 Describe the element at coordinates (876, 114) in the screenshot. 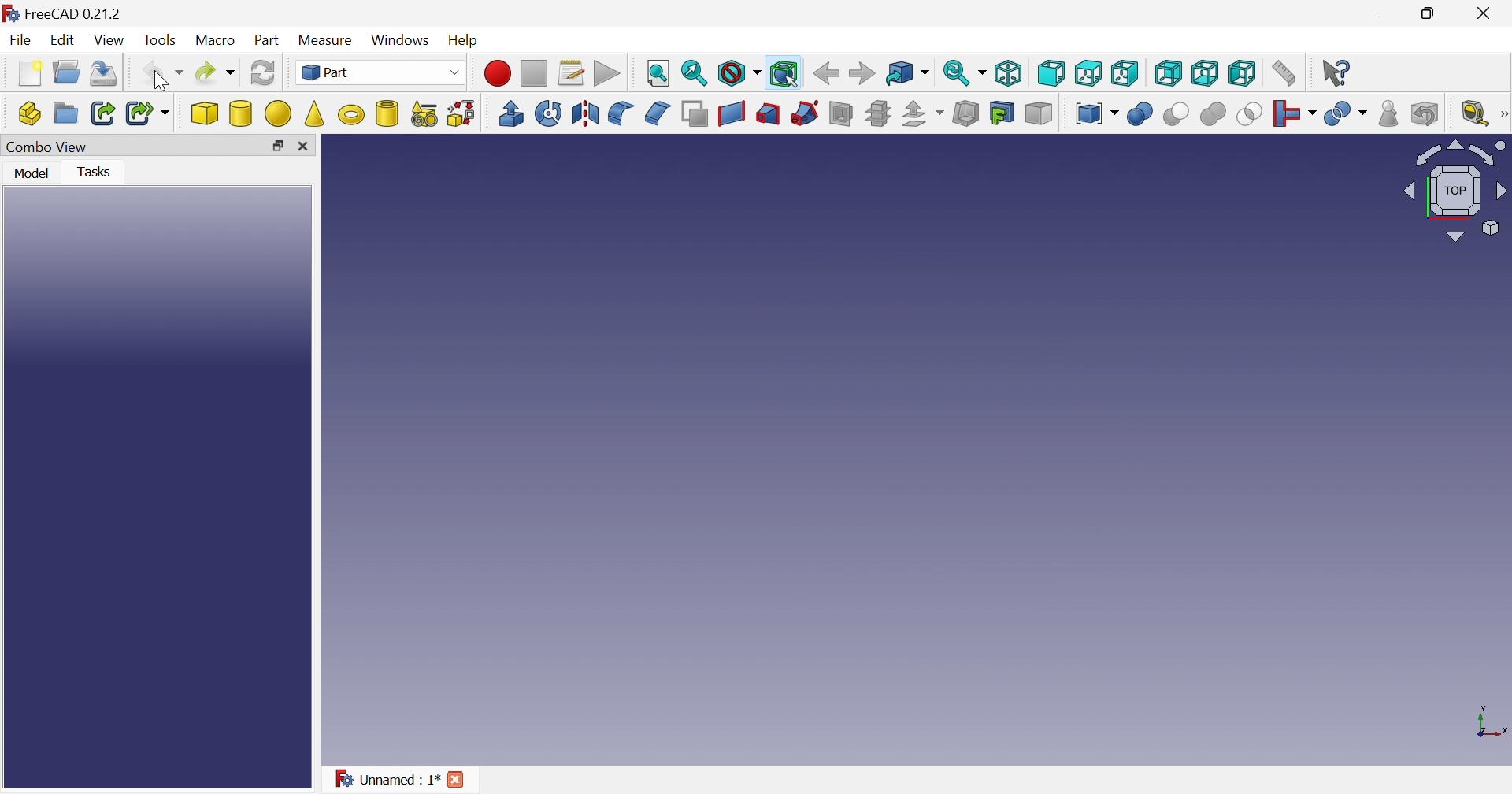

I see `Cross-sections` at that location.